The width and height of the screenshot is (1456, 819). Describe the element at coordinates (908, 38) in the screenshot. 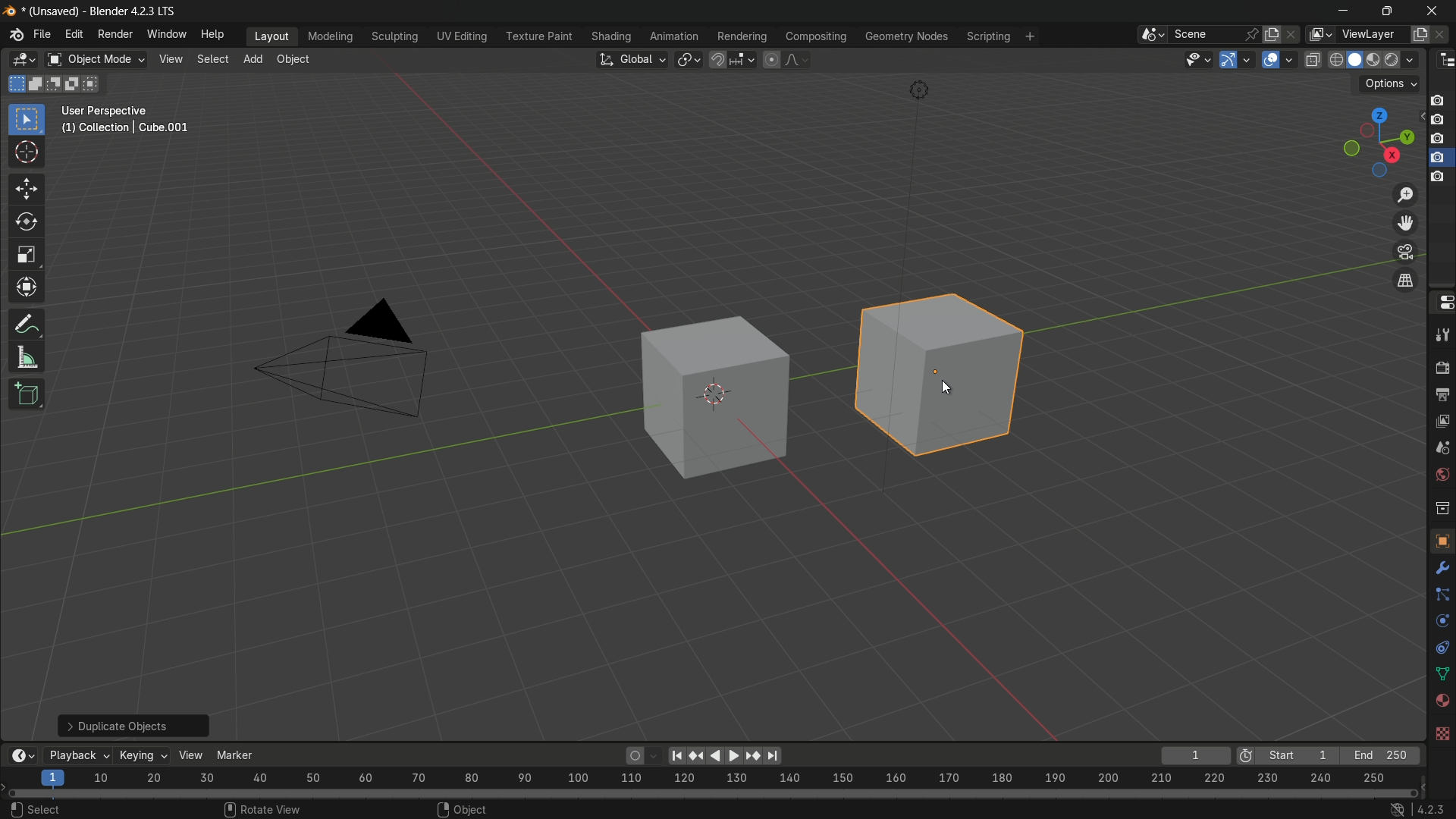

I see `geometry nodes menu` at that location.